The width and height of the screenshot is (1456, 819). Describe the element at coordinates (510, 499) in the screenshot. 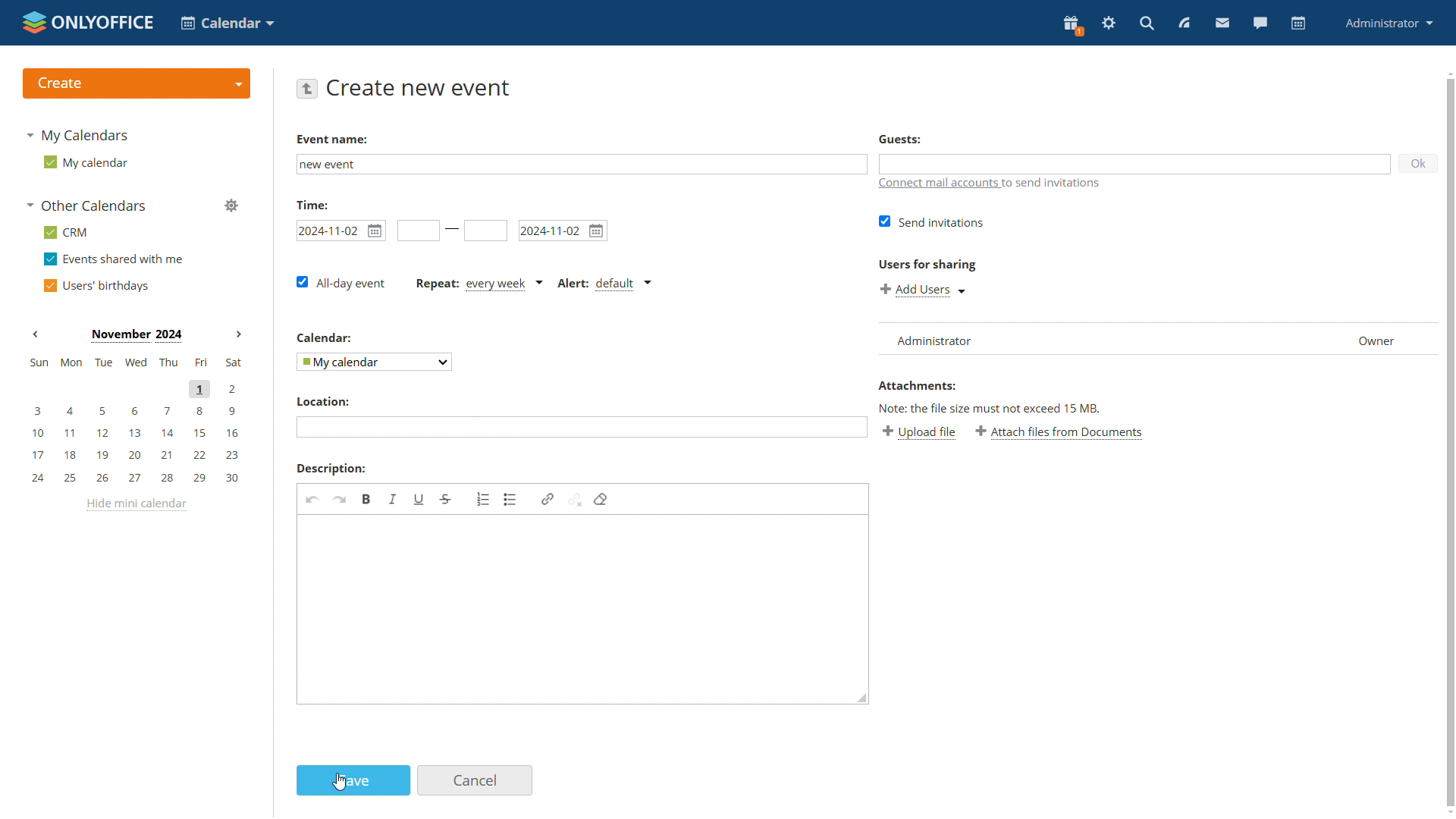

I see `insert/remove bulleted list` at that location.